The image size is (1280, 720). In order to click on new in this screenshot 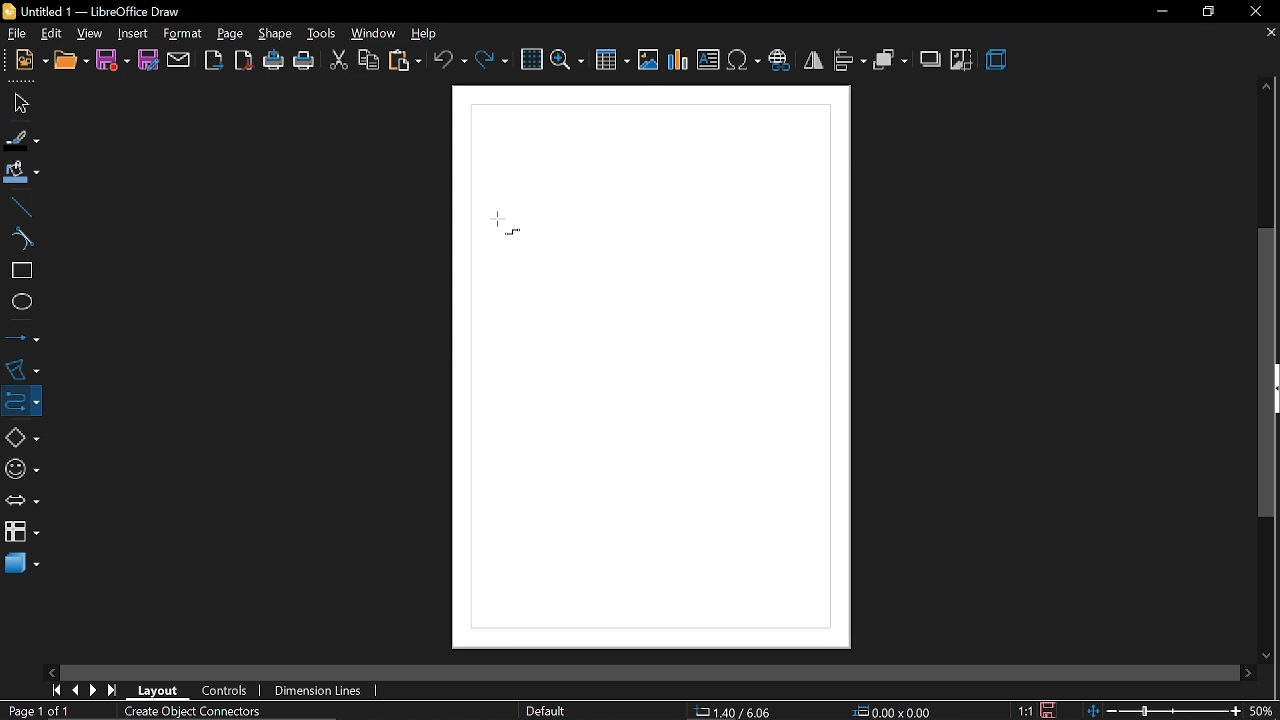, I will do `click(24, 62)`.